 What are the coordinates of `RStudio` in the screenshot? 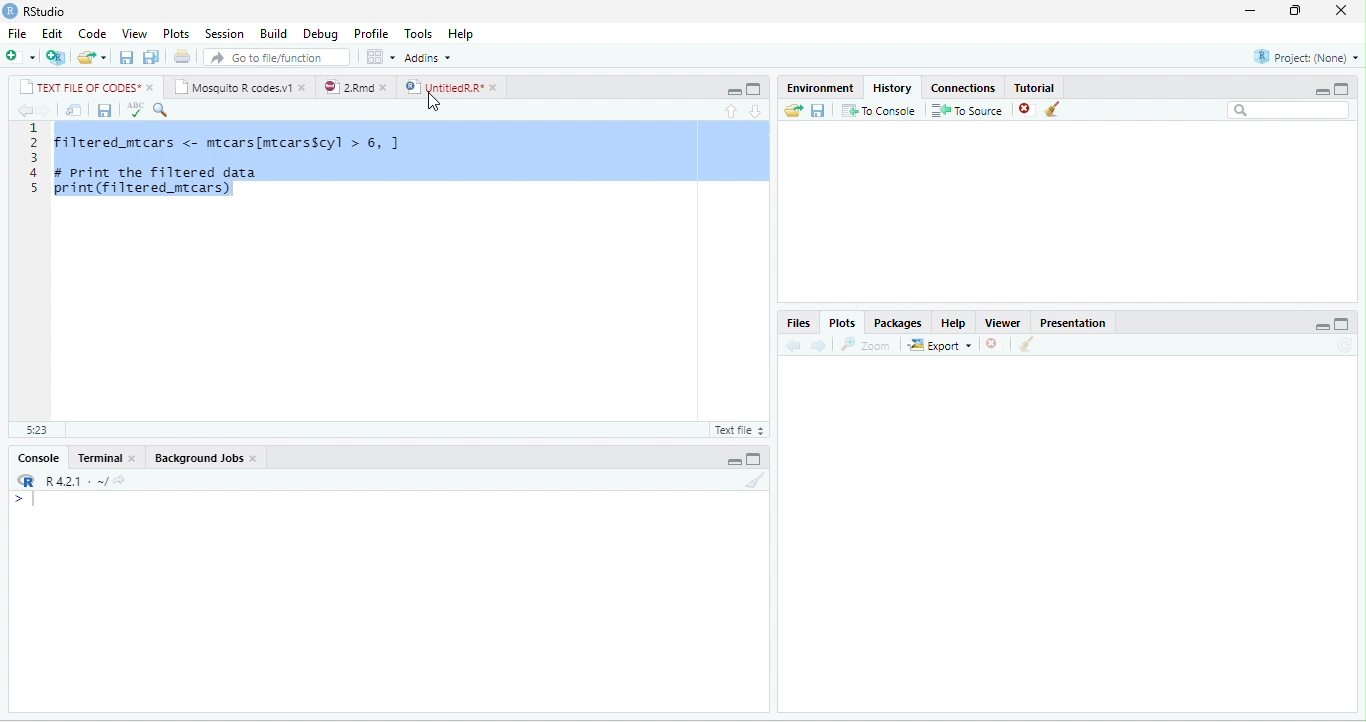 It's located at (44, 11).